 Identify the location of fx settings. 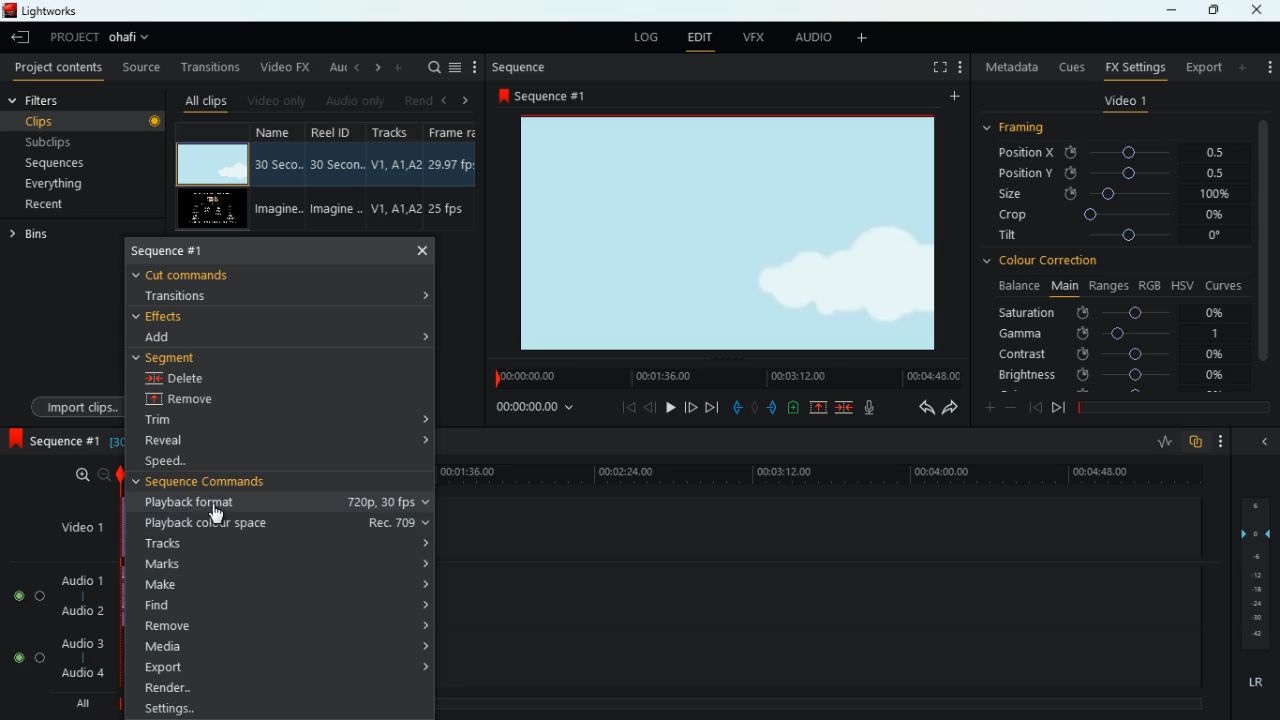
(1135, 69).